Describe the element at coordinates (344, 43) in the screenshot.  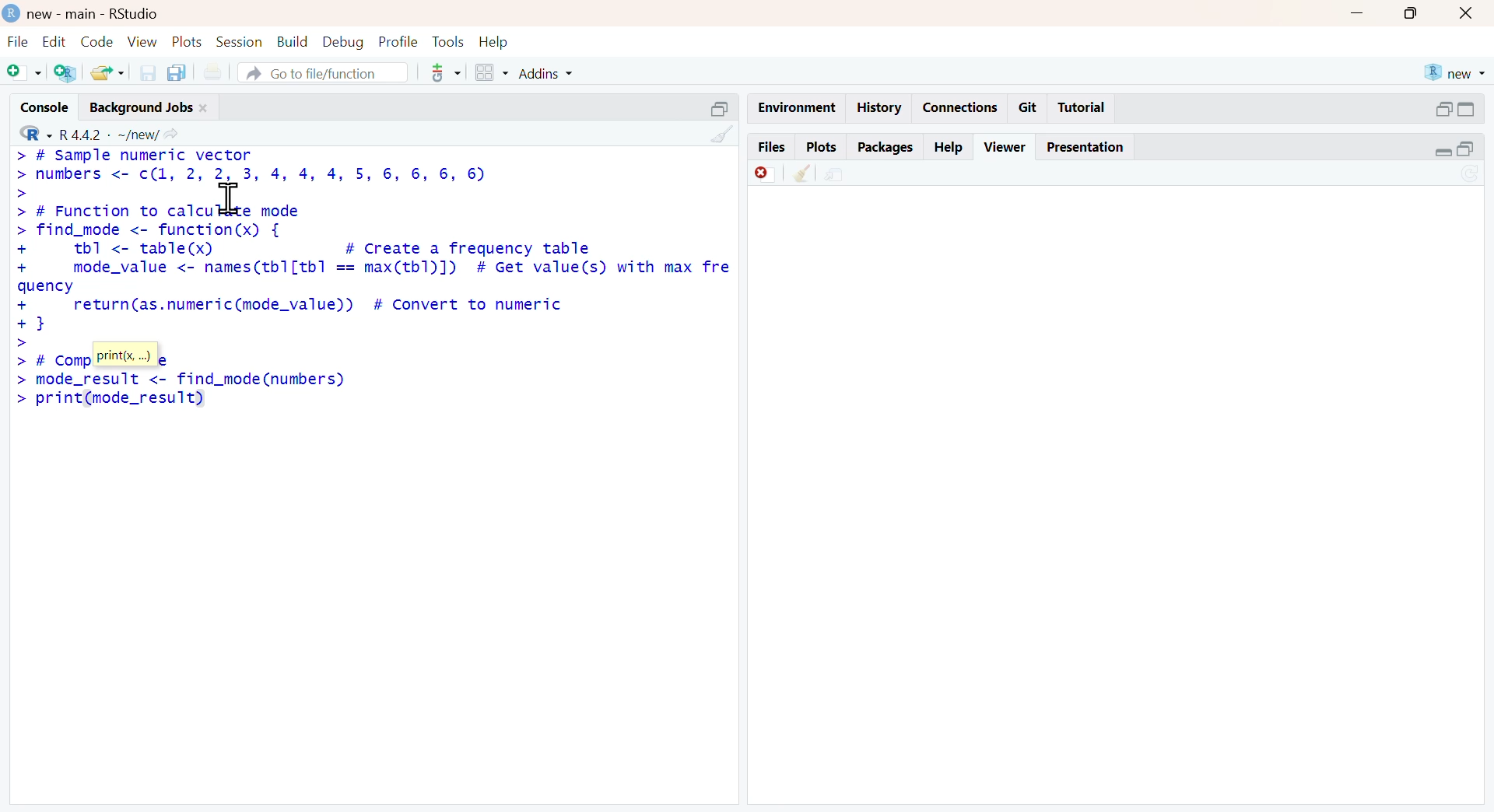
I see `debug` at that location.